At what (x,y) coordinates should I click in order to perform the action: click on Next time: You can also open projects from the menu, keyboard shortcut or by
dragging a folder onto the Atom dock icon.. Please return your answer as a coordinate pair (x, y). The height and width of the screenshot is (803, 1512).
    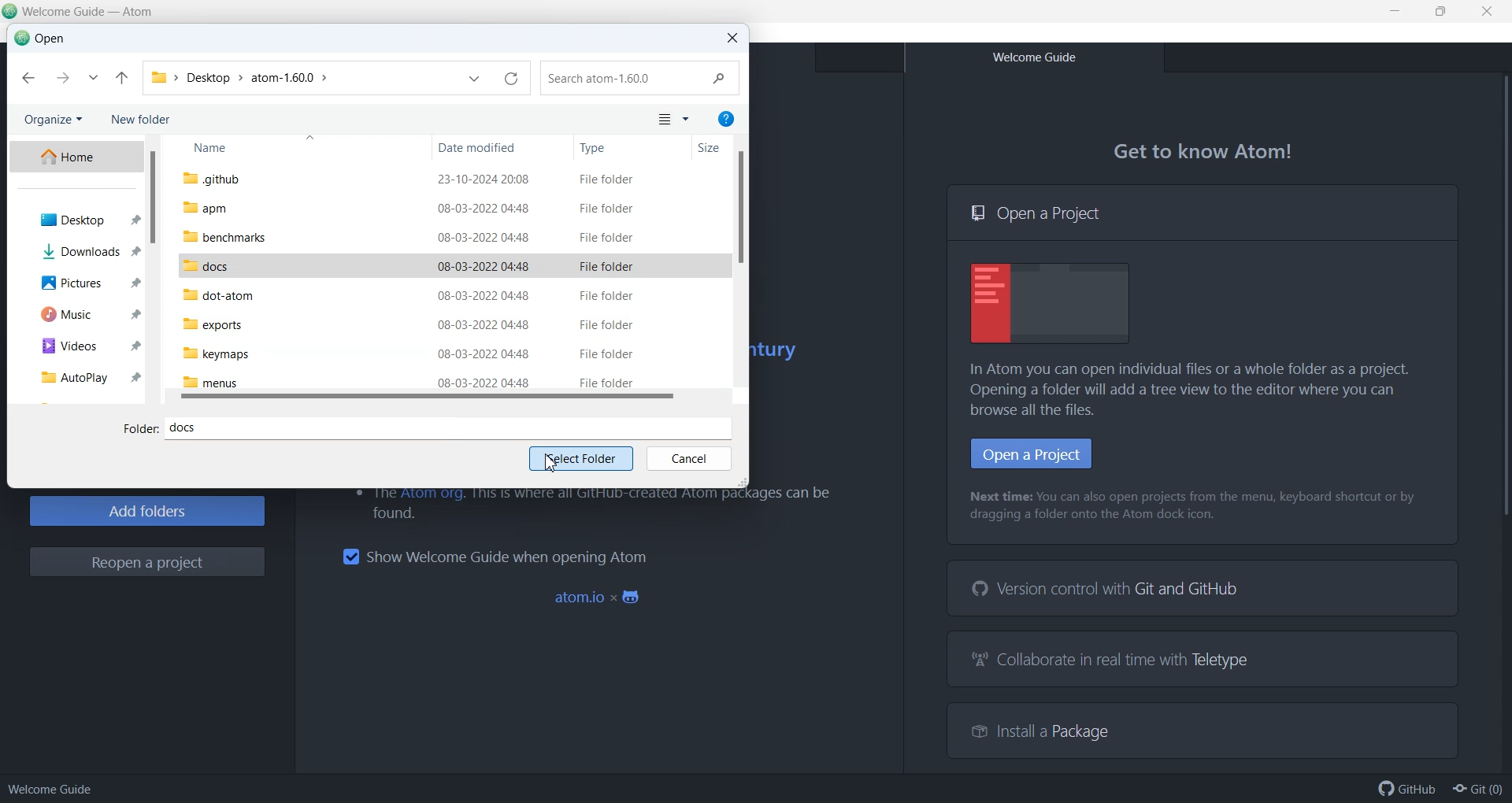
    Looking at the image, I should click on (1195, 507).